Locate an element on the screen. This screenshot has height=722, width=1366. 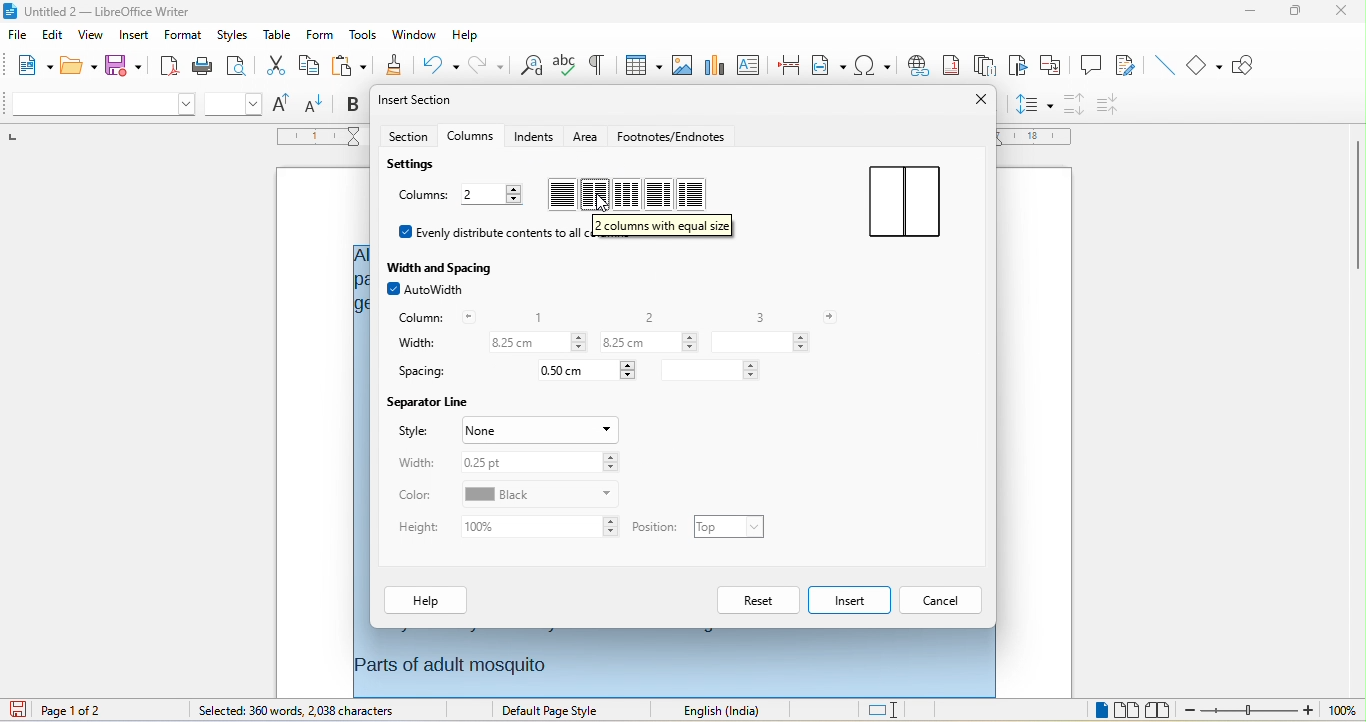
columns is located at coordinates (473, 136).